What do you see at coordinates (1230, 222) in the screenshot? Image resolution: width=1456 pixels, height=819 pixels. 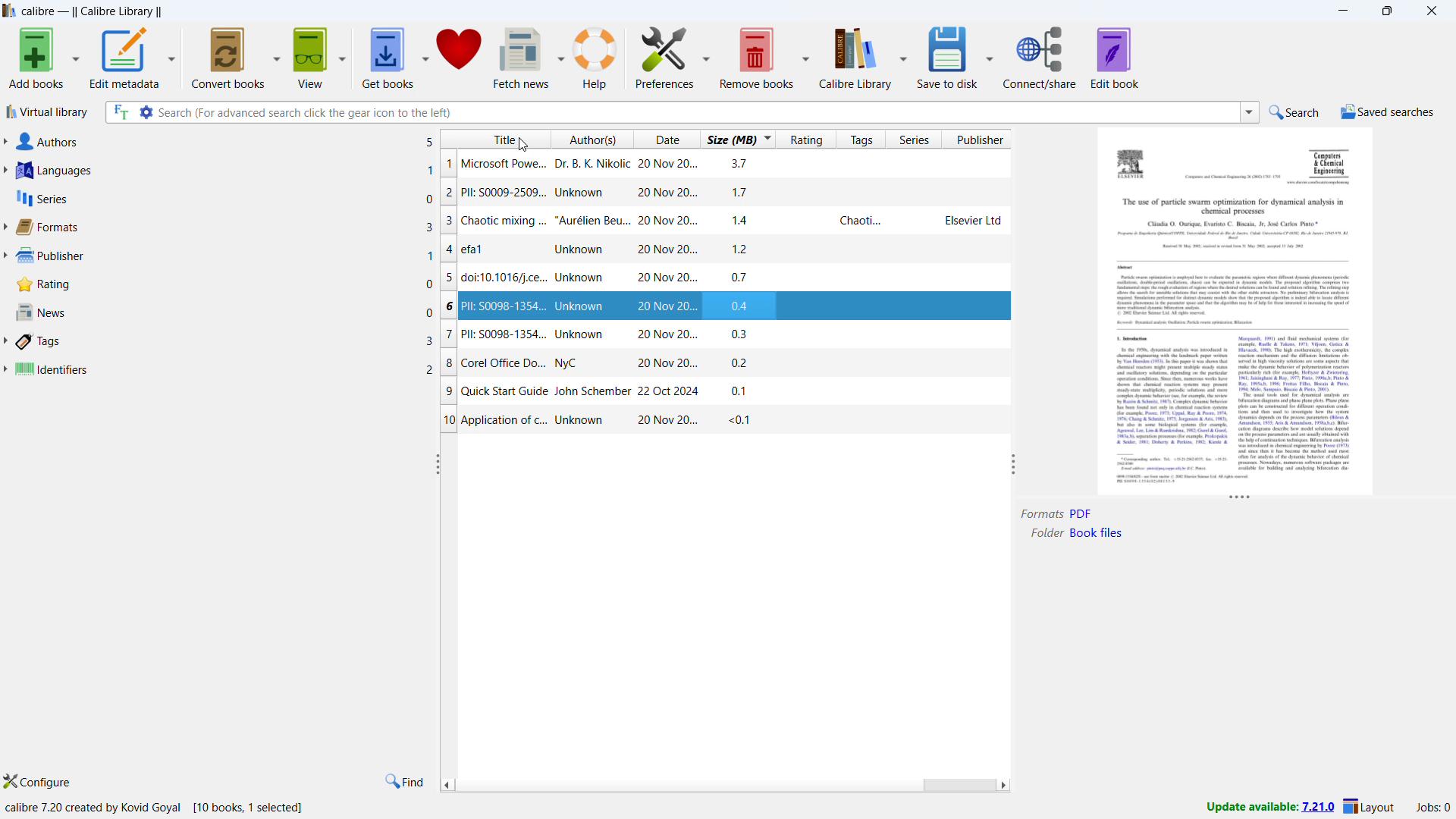 I see `` at bounding box center [1230, 222].